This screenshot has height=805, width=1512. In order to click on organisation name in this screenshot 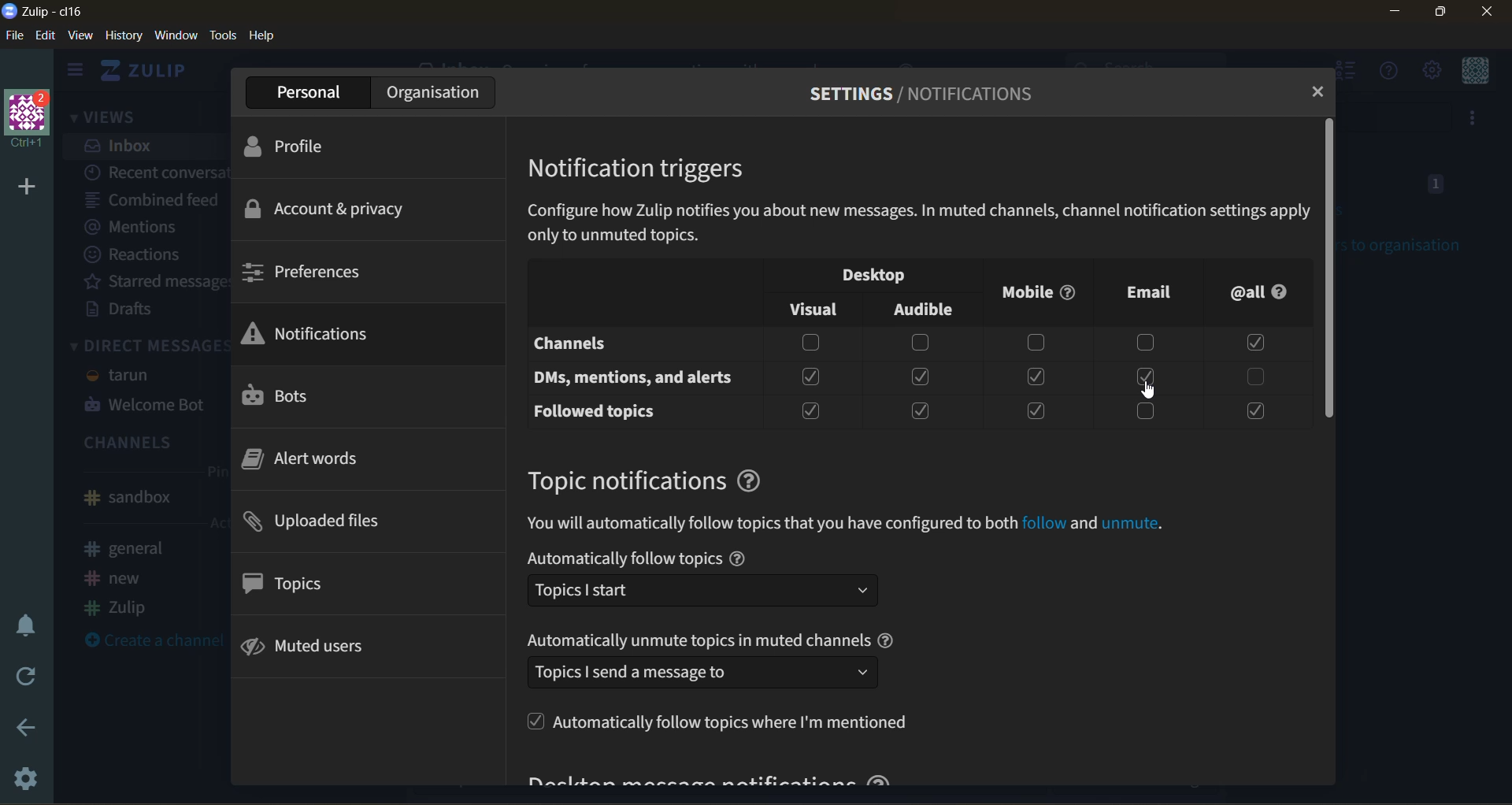, I will do `click(33, 121)`.